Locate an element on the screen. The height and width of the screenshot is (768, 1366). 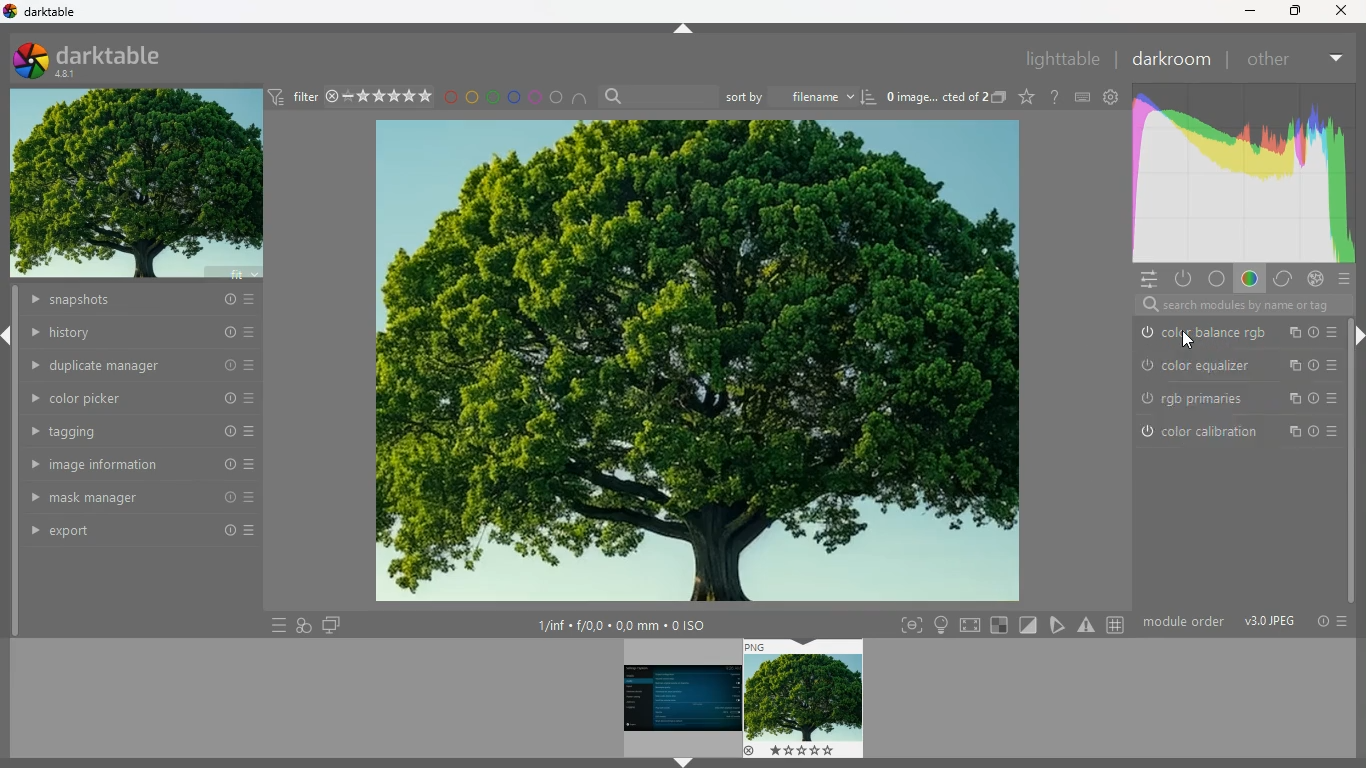
doubt is located at coordinates (1056, 97).